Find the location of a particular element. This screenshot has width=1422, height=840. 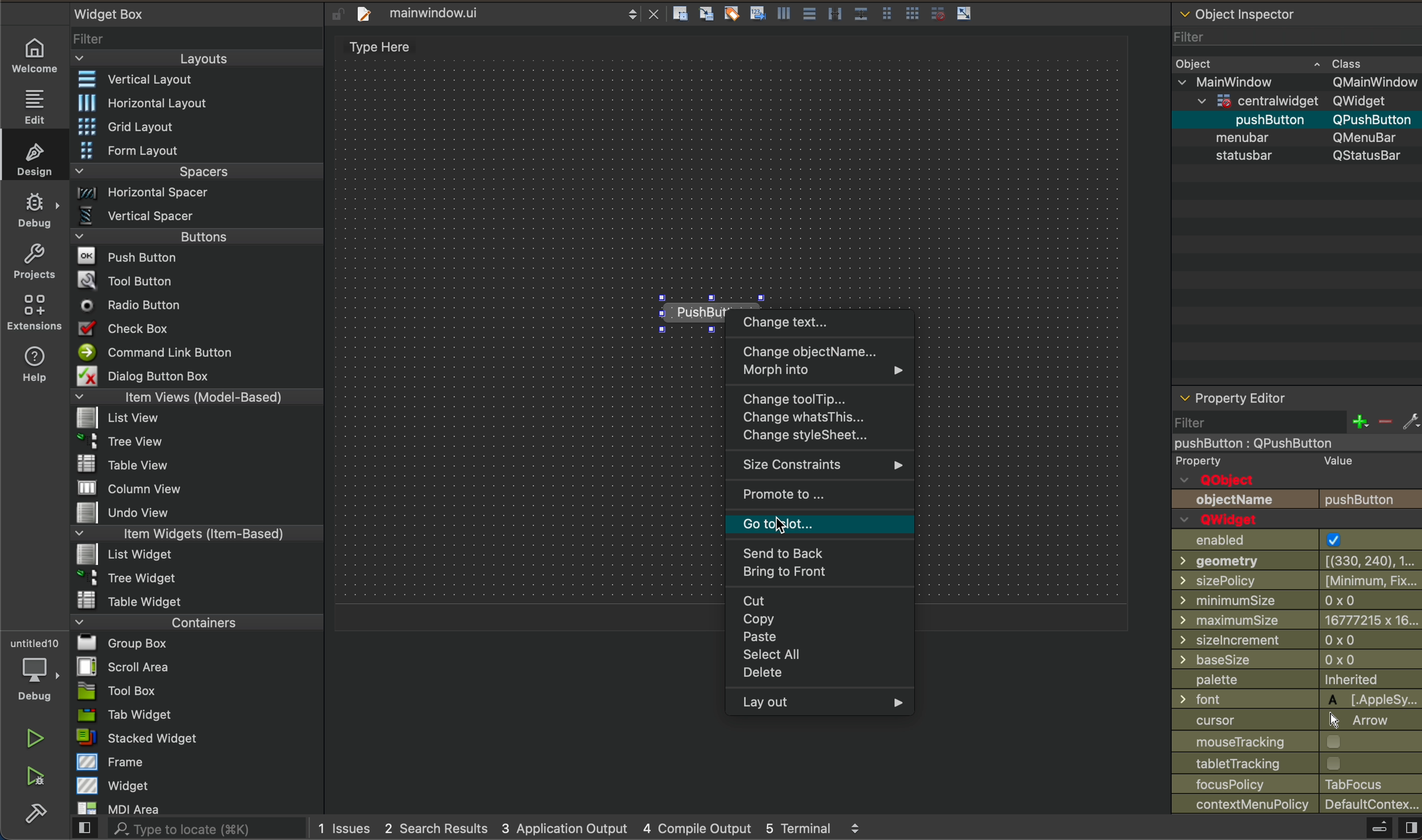

geometry is located at coordinates (1295, 562).